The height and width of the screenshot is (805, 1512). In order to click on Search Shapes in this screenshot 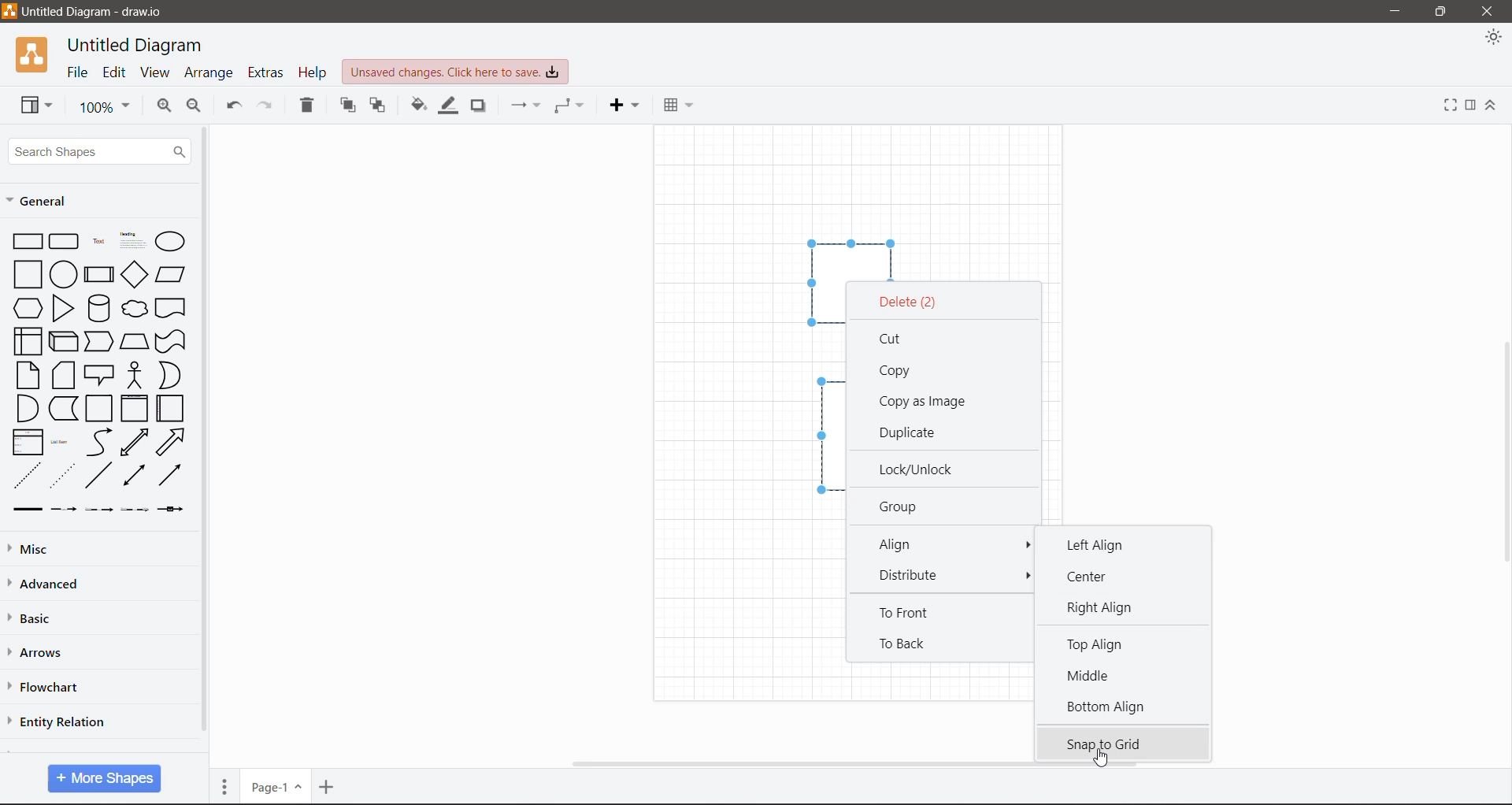, I will do `click(98, 150)`.